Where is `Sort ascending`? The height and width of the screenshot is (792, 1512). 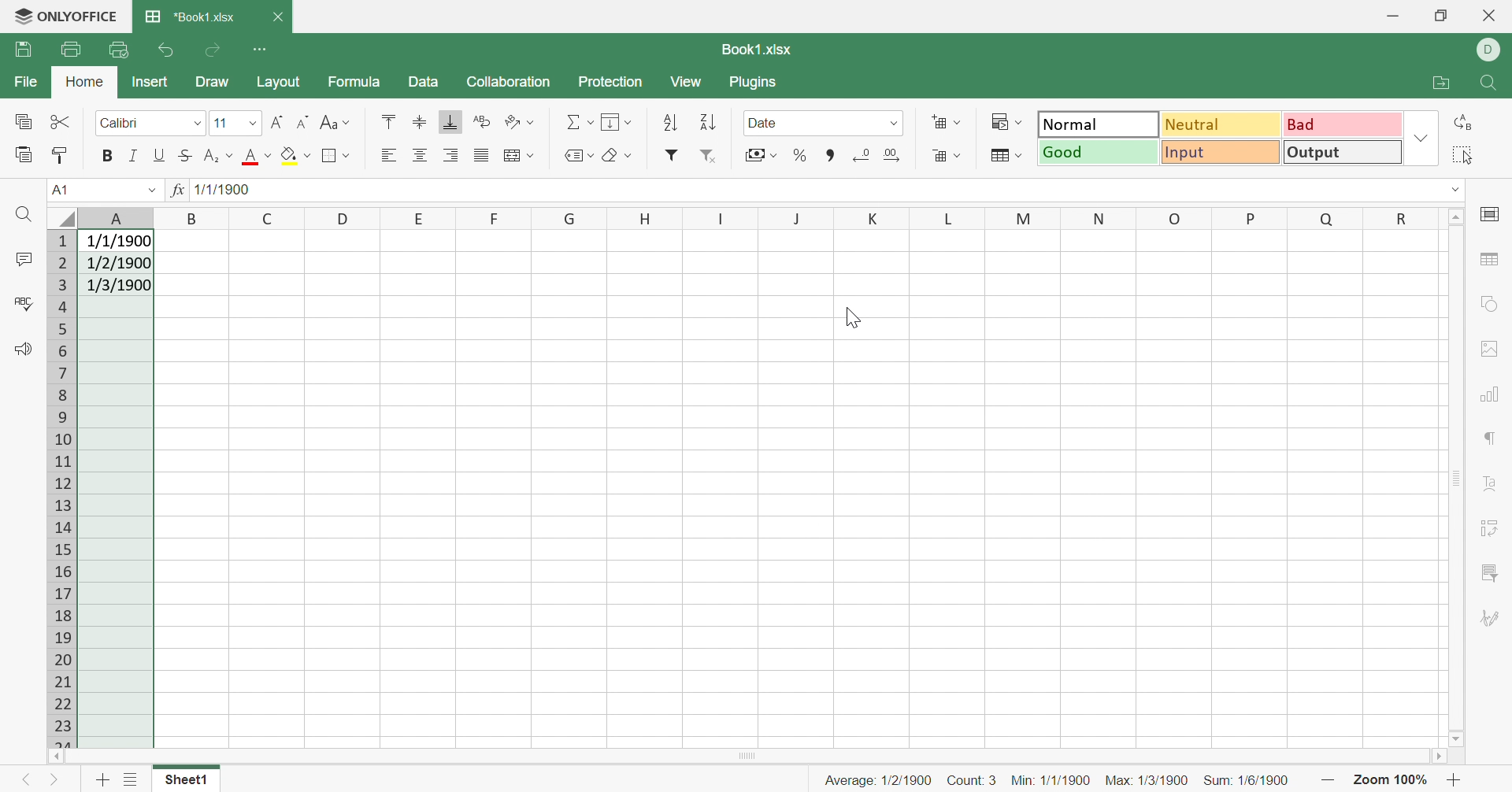
Sort ascending is located at coordinates (670, 124).